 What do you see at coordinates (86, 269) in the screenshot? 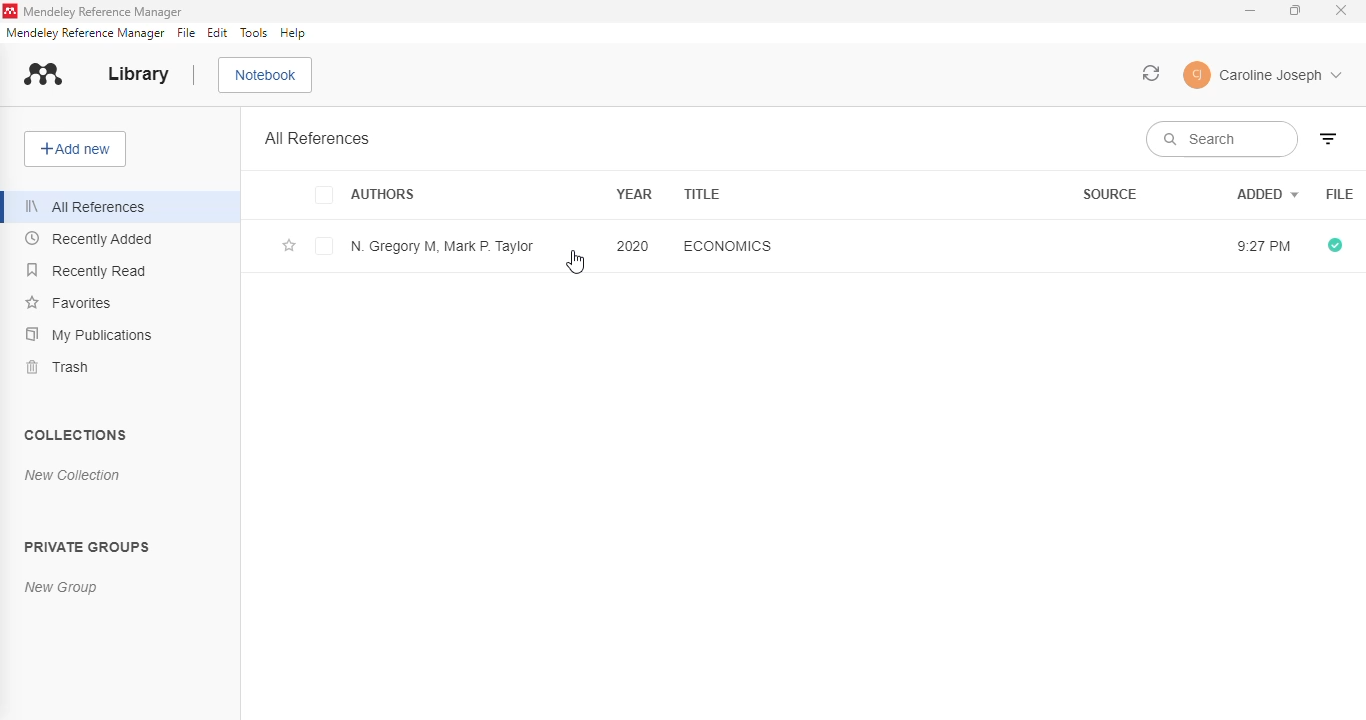
I see `recently read` at bounding box center [86, 269].